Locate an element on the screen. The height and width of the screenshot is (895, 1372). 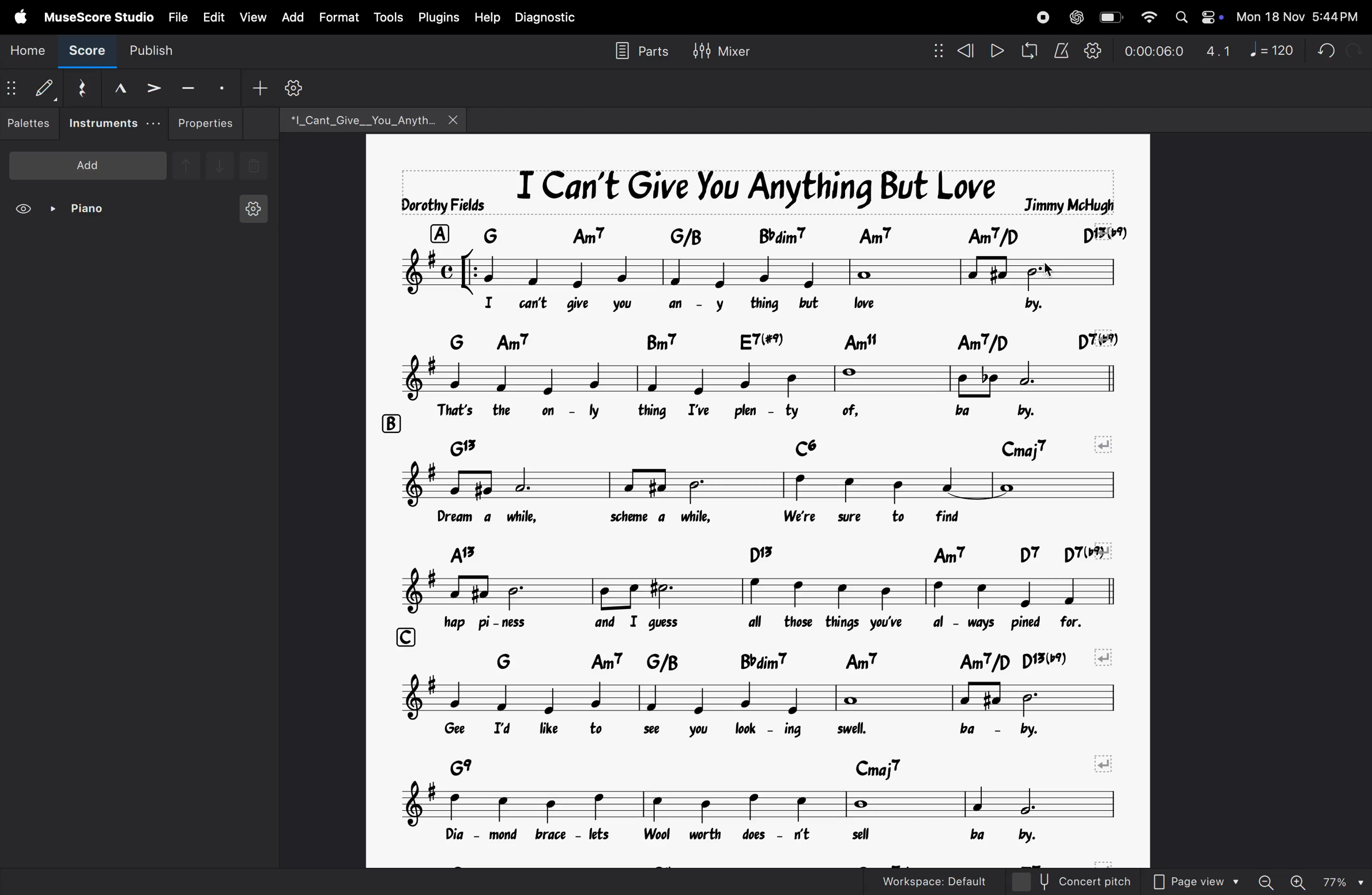
chord symbol is located at coordinates (775, 551).